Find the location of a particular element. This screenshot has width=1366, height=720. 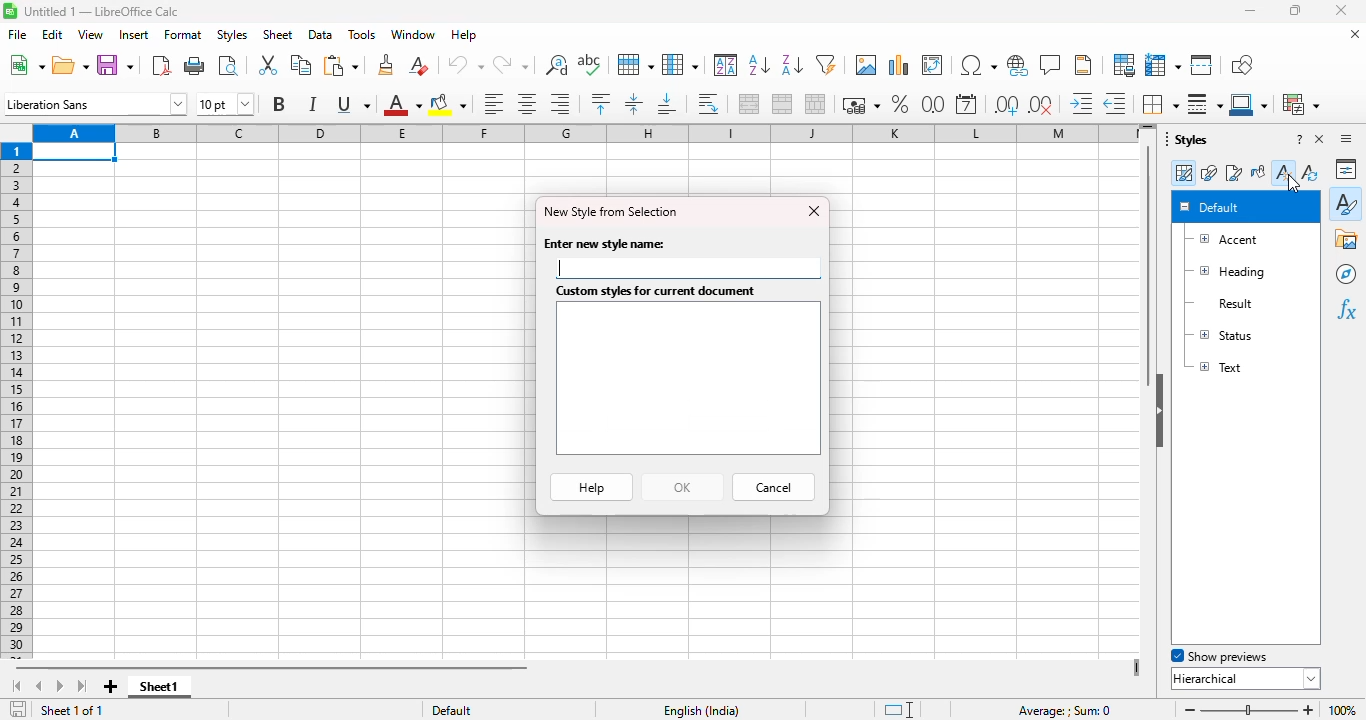

click to save the document is located at coordinates (18, 709).